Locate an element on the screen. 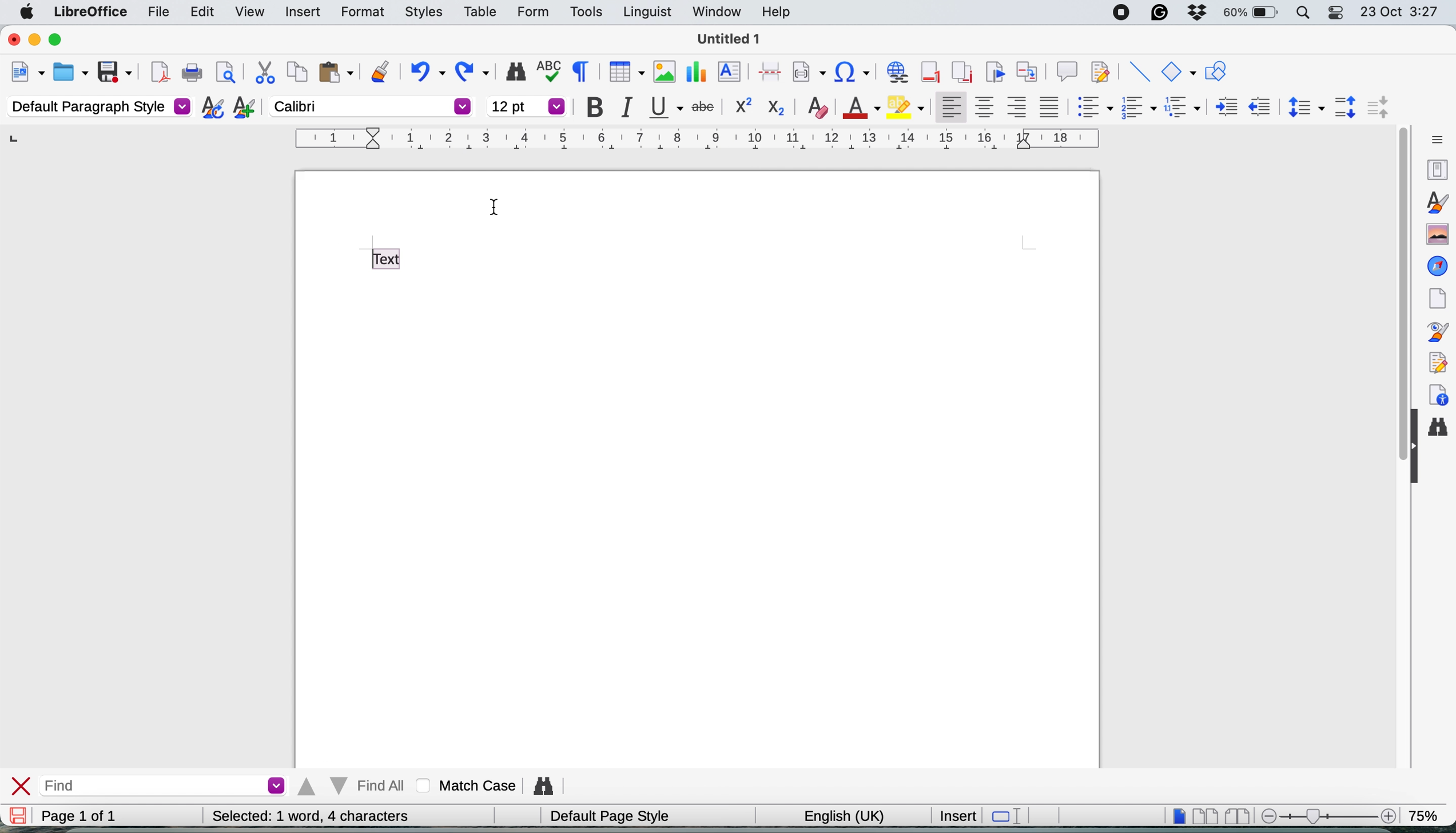 The image size is (1456, 833). date and time is located at coordinates (1401, 13).